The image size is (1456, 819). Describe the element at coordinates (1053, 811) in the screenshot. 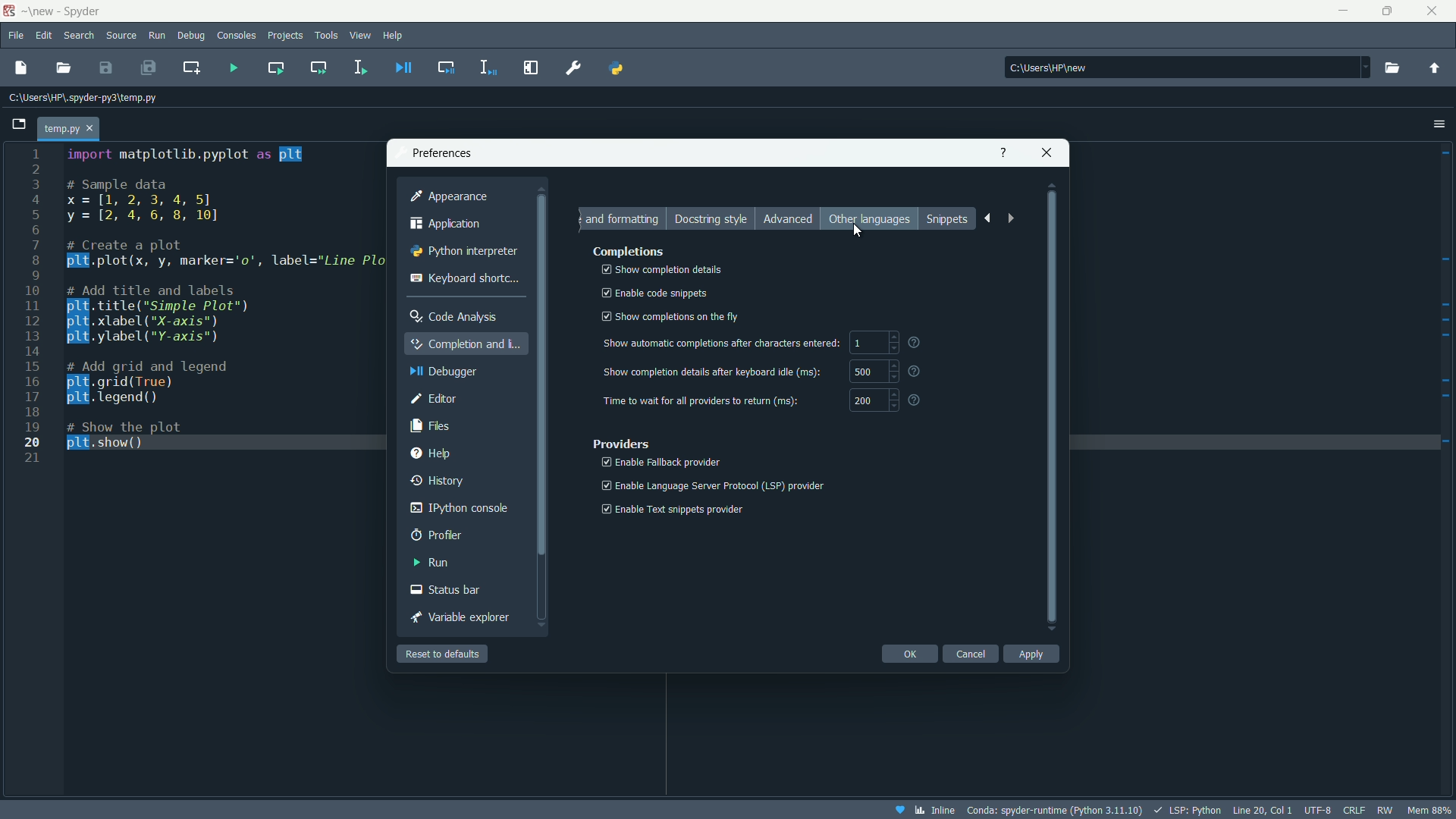

I see `interpreter` at that location.